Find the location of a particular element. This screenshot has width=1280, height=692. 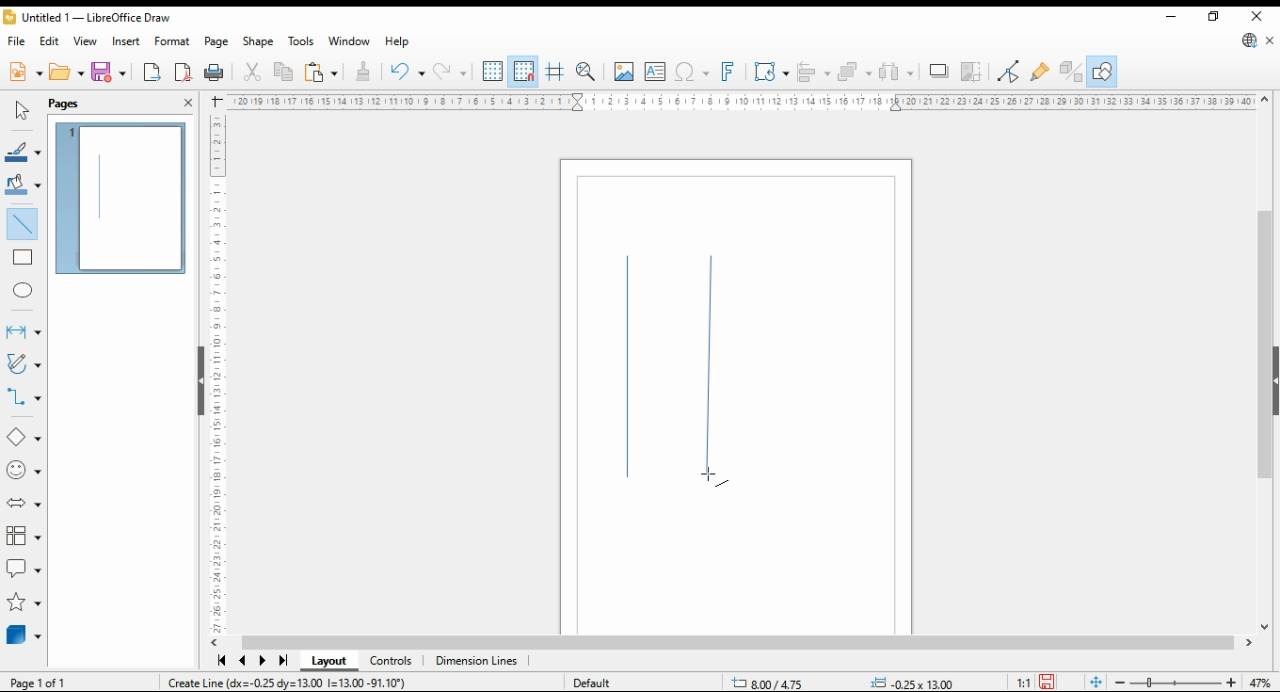

horizontal scale is located at coordinates (741, 101).